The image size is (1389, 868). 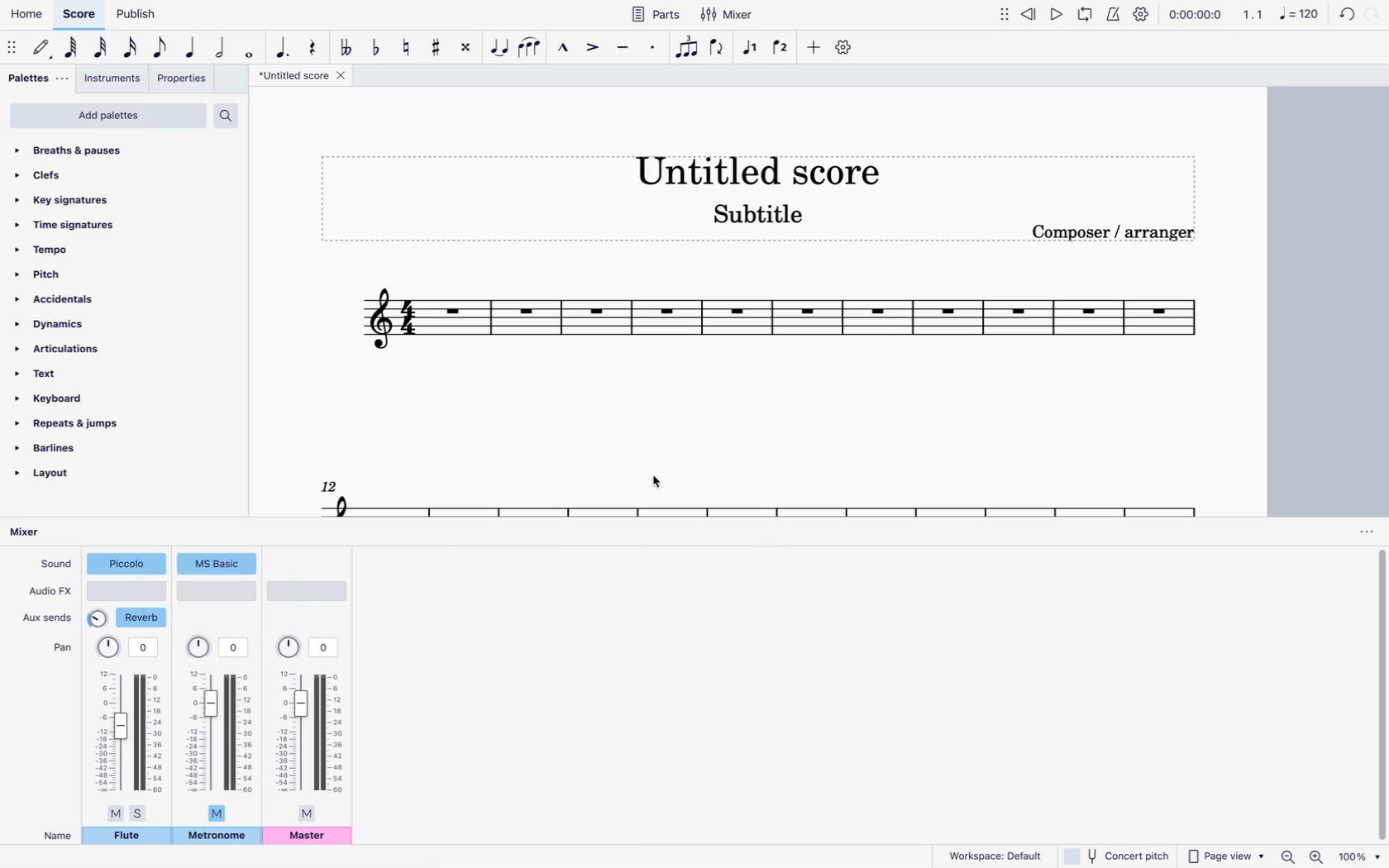 I want to click on aux sends, so click(x=49, y=614).